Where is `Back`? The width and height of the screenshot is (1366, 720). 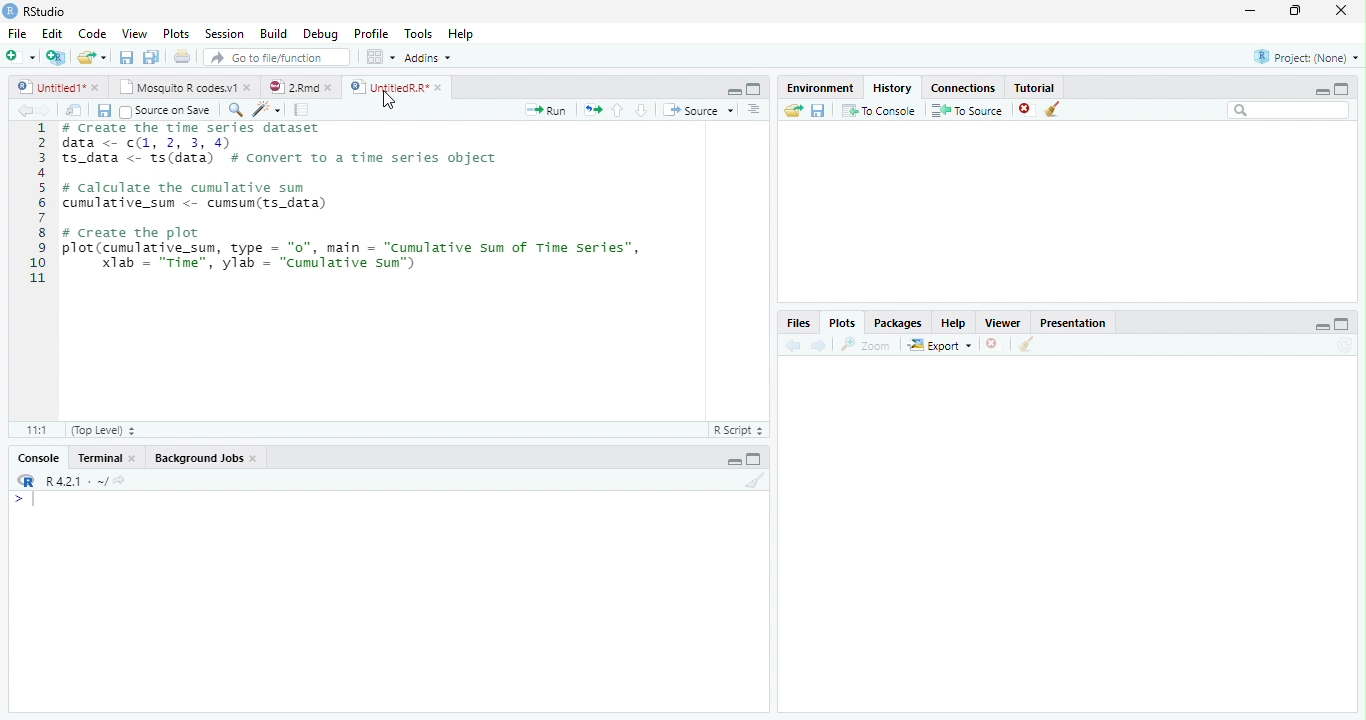
Back is located at coordinates (23, 111).